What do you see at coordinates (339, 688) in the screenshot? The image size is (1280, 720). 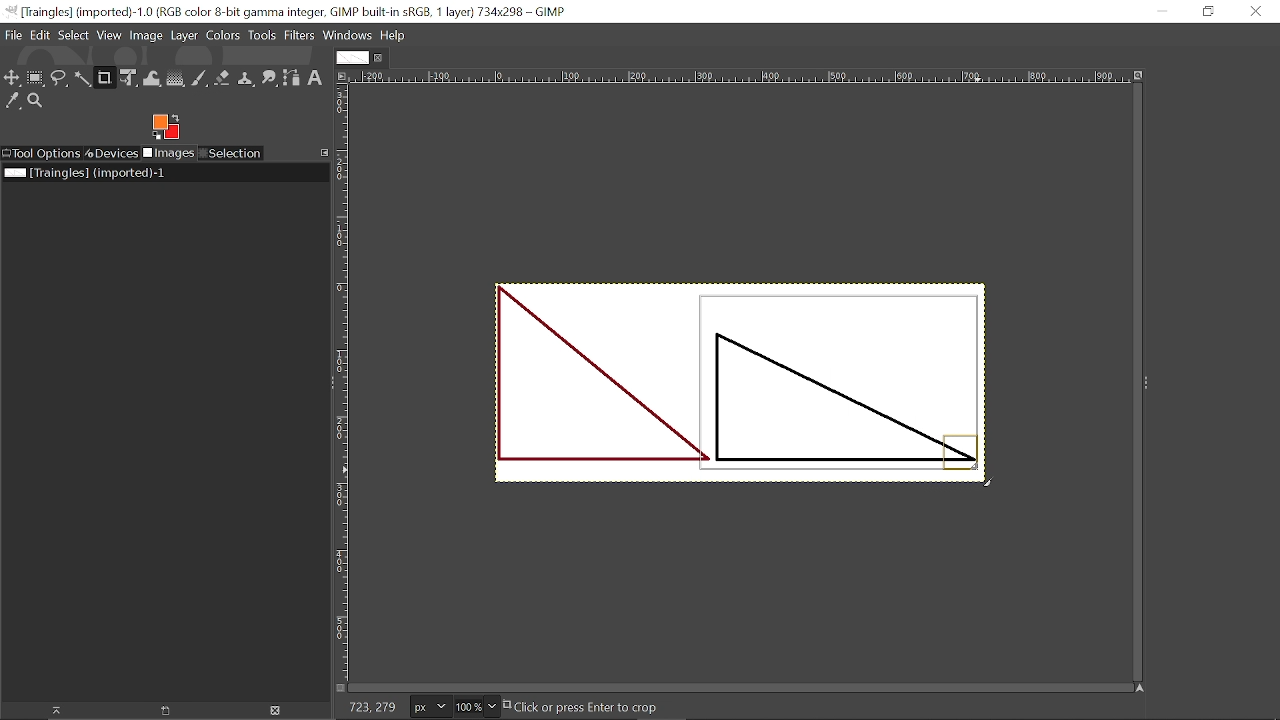 I see `Quick view mask on/off` at bounding box center [339, 688].